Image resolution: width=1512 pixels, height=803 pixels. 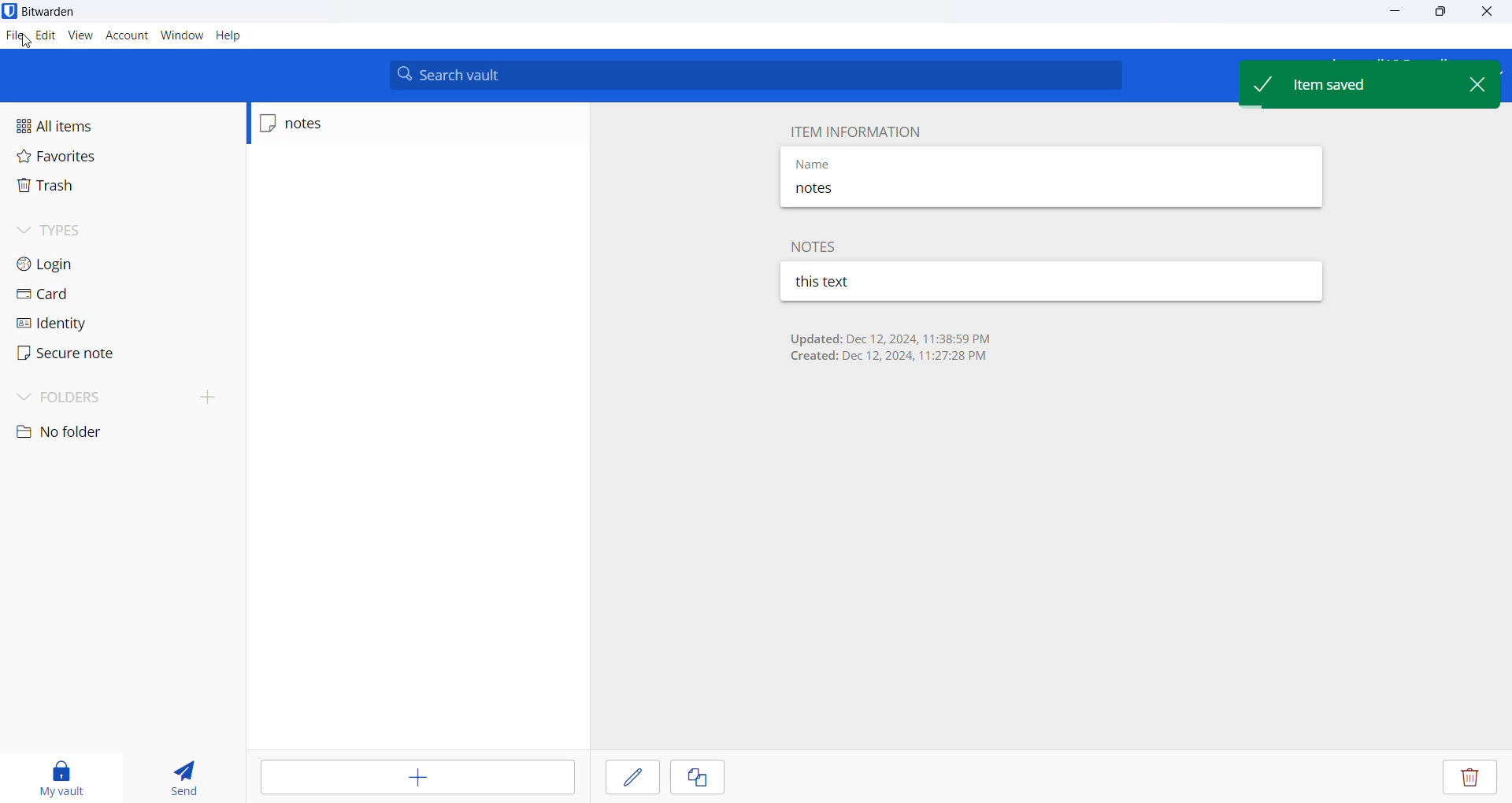 What do you see at coordinates (1391, 13) in the screenshot?
I see `minimize` at bounding box center [1391, 13].